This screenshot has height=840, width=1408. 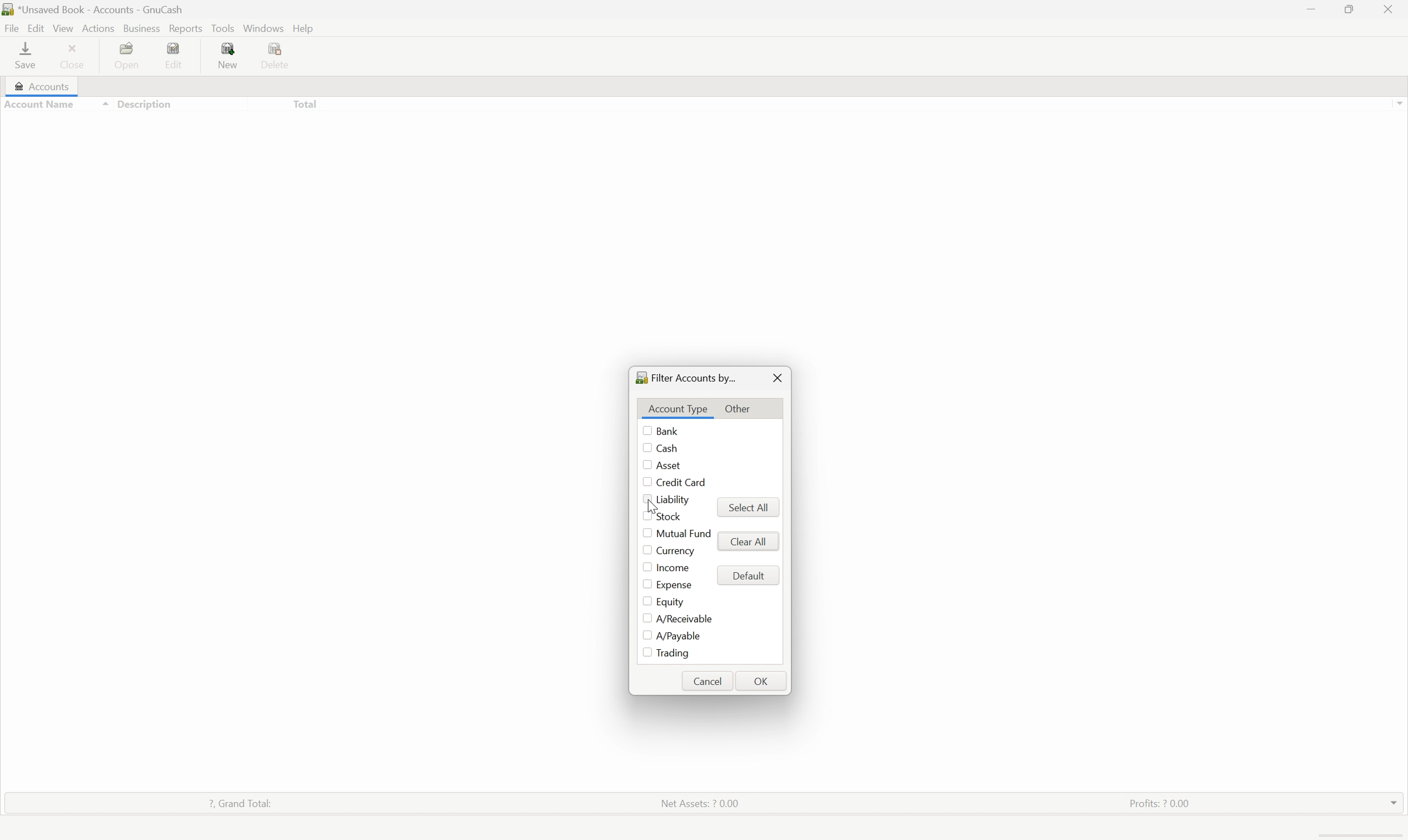 What do you see at coordinates (671, 465) in the screenshot?
I see `Asset` at bounding box center [671, 465].